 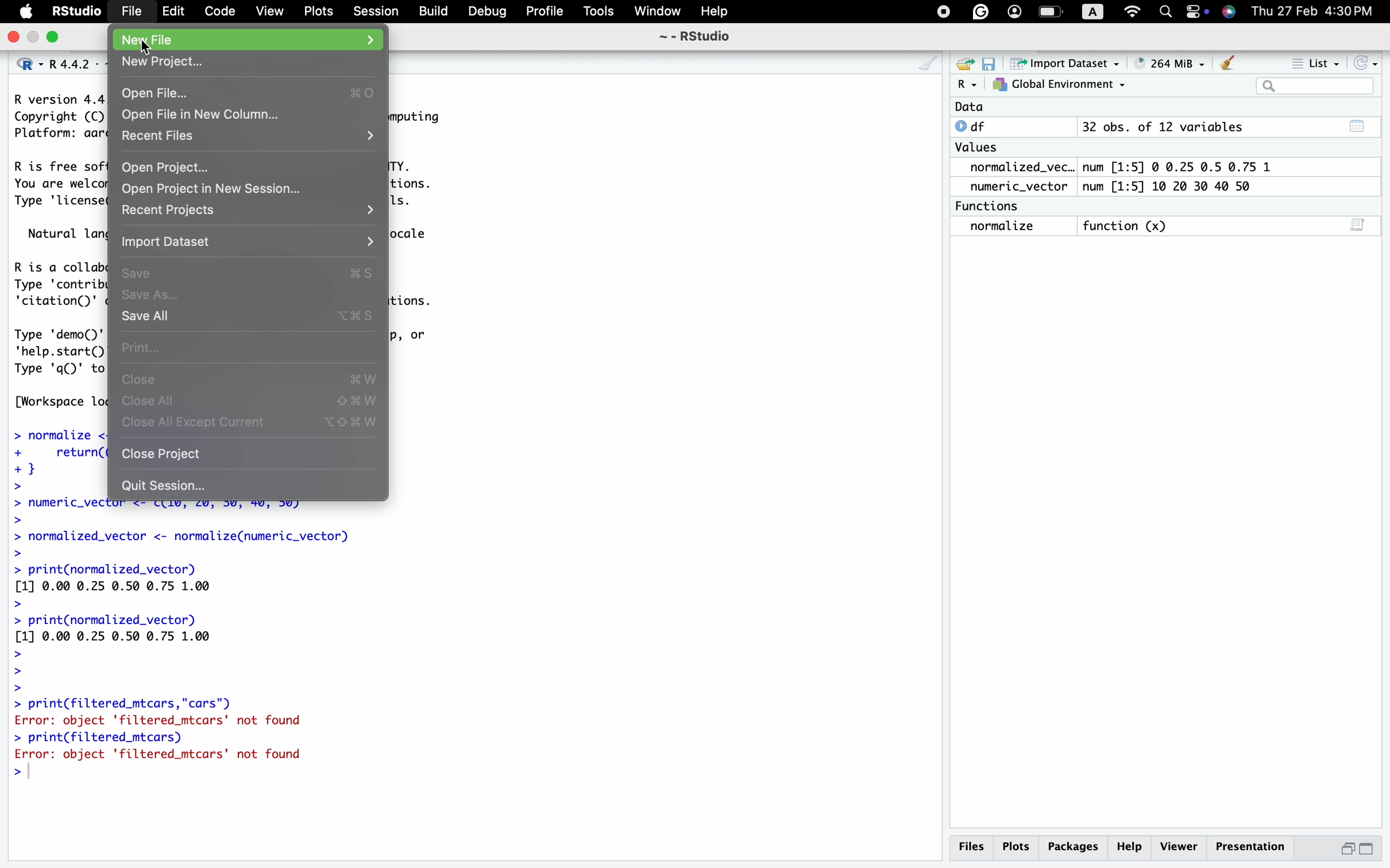 I want to click on save all, so click(x=249, y=317).